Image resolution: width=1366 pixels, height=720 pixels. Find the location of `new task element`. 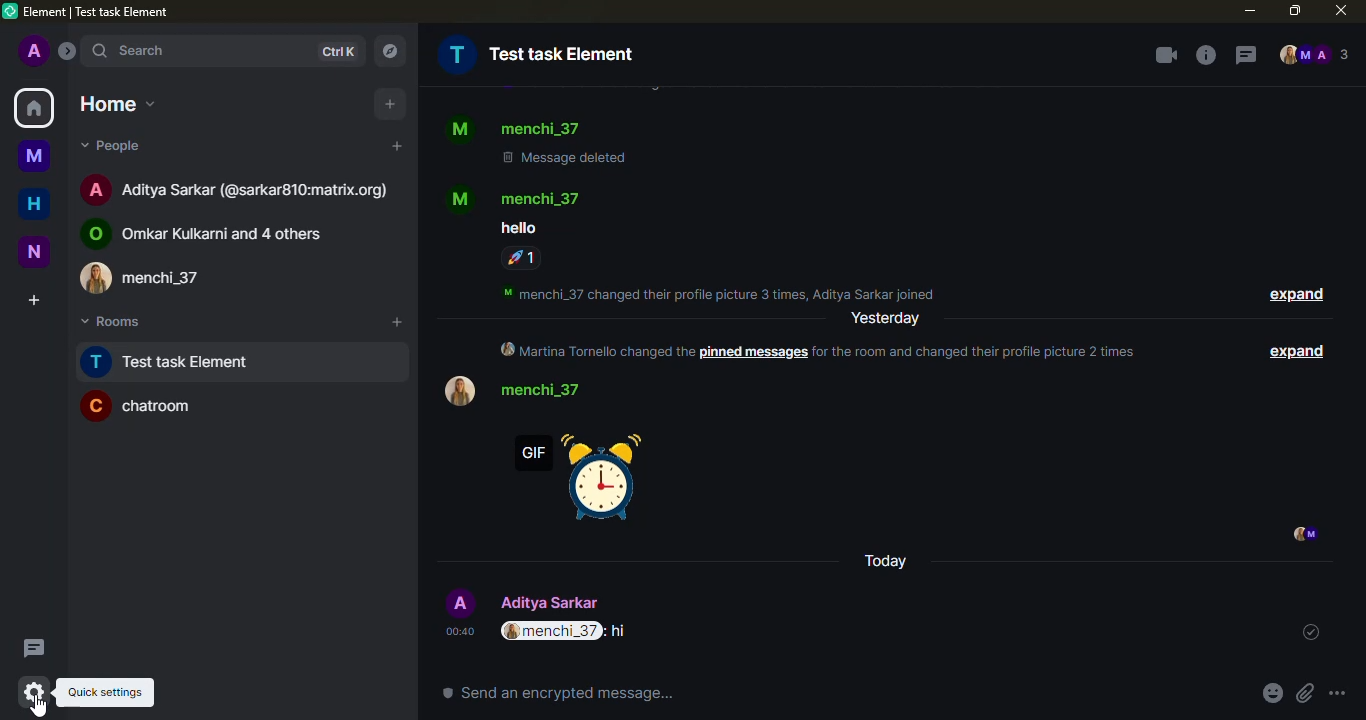

new task element is located at coordinates (174, 362).